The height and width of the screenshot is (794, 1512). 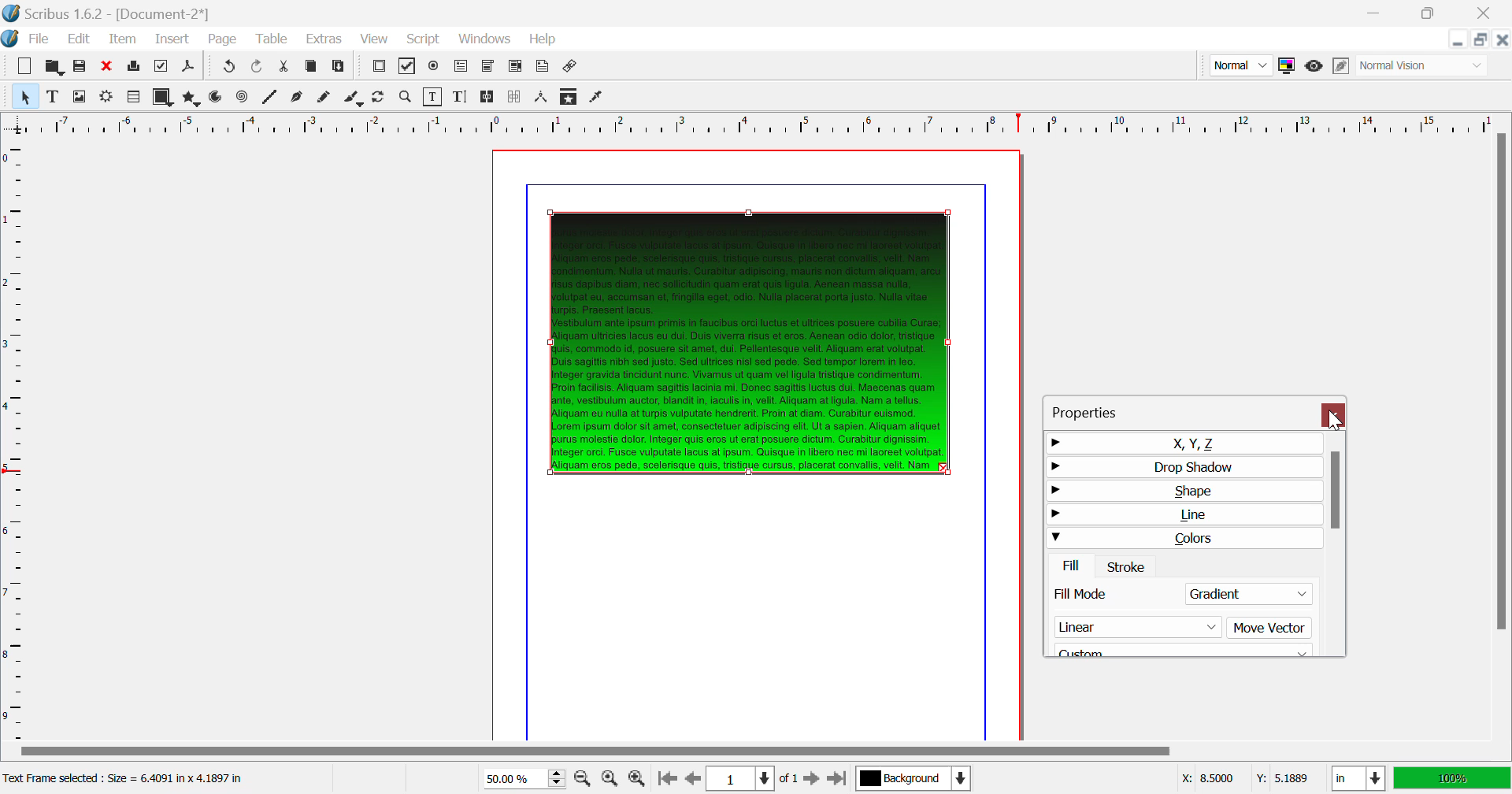 I want to click on Freehand, so click(x=326, y=98).